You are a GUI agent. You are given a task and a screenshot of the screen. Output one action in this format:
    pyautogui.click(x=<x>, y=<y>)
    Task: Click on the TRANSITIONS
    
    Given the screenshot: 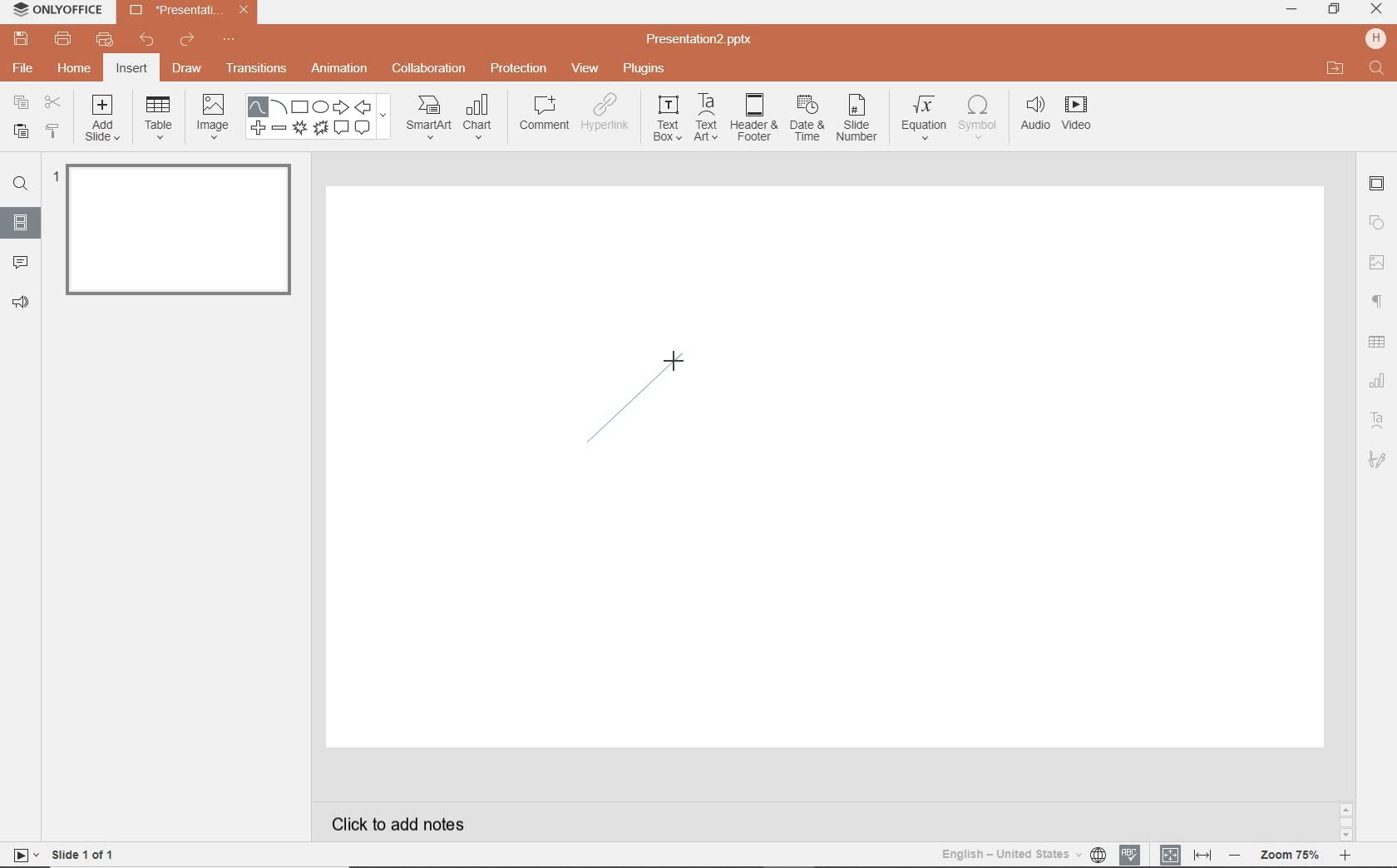 What is the action you would take?
    pyautogui.click(x=259, y=70)
    